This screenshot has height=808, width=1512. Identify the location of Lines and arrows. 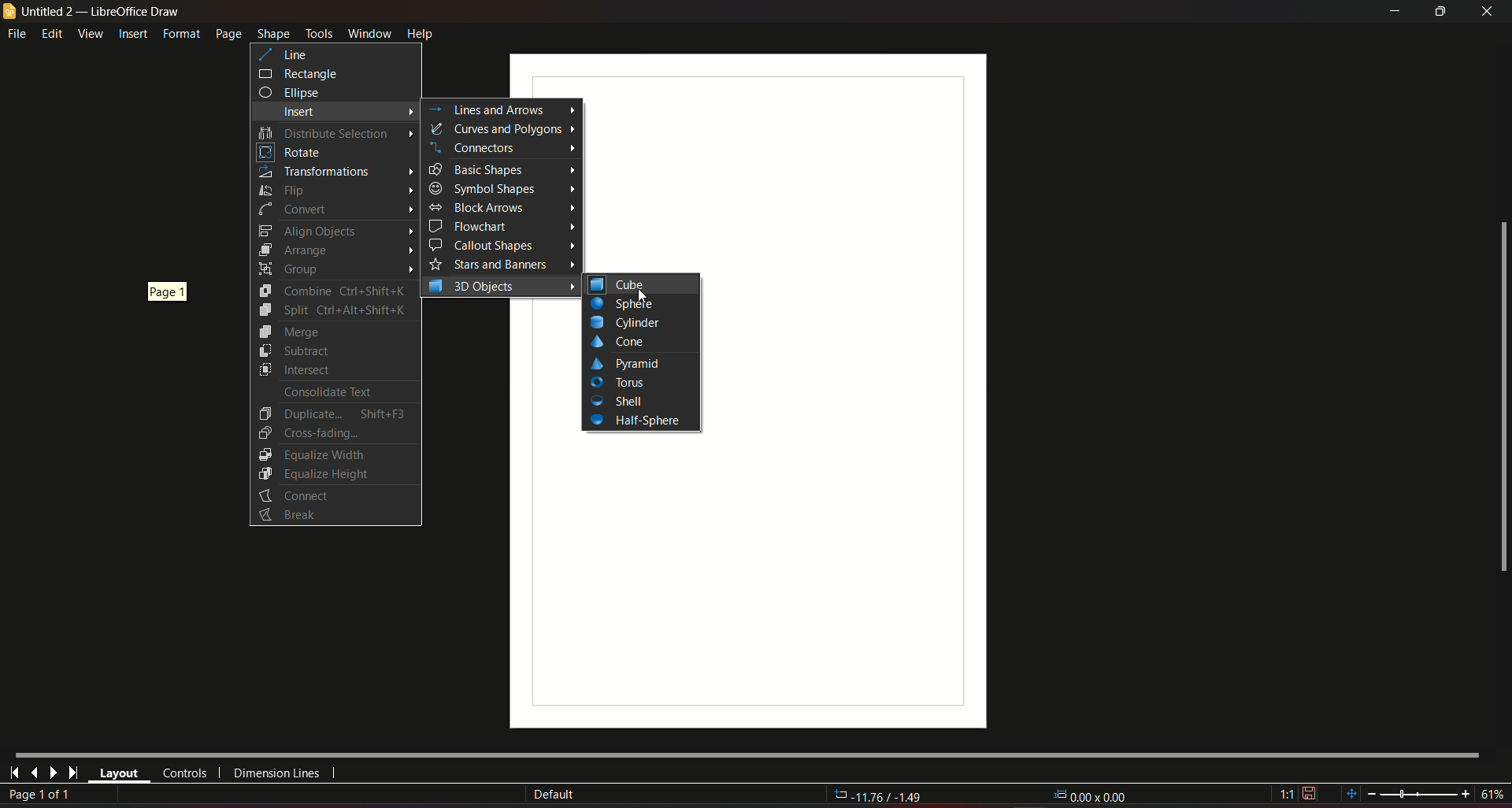
(487, 109).